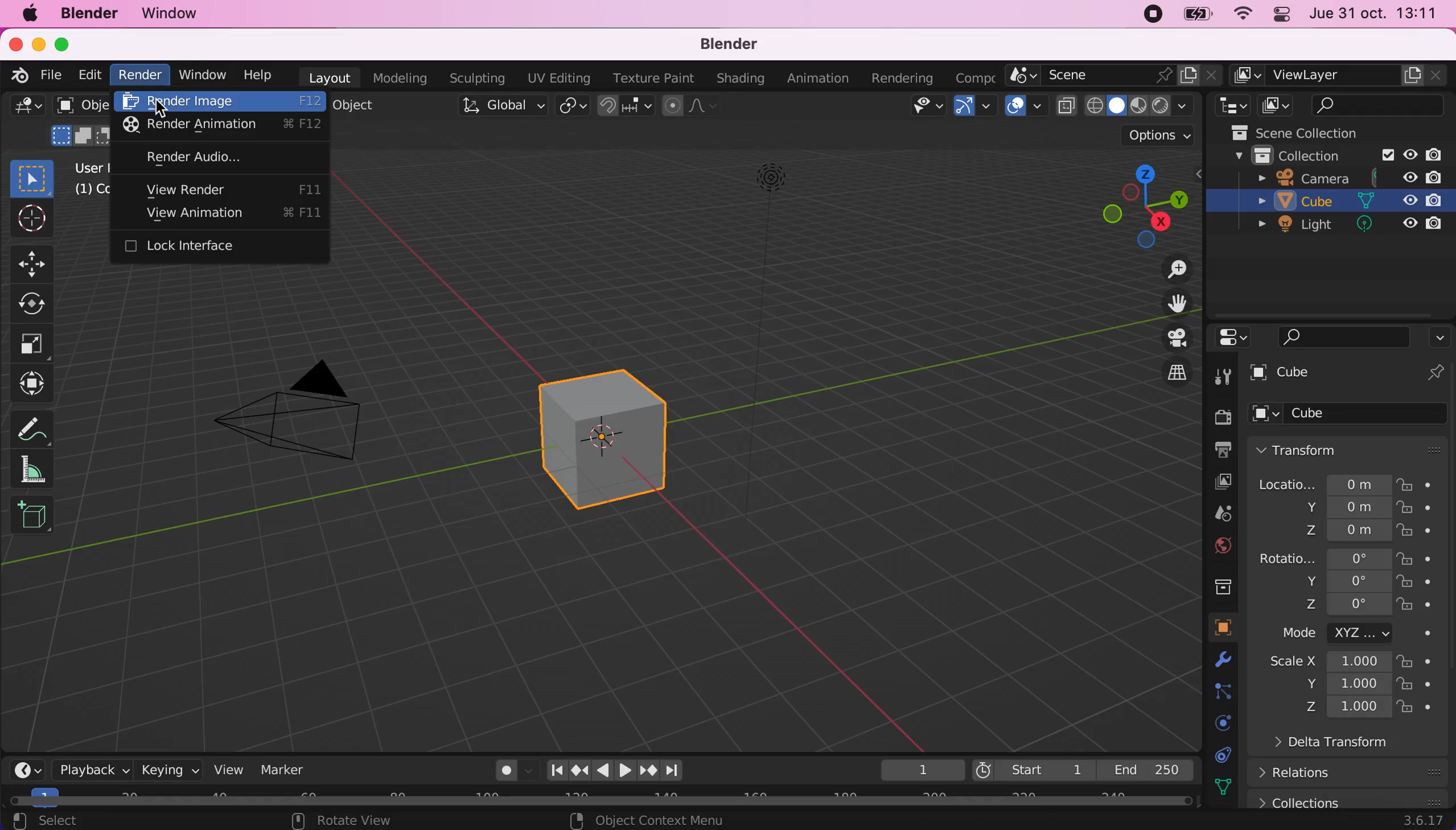 Image resolution: width=1456 pixels, height=830 pixels. What do you see at coordinates (346, 821) in the screenshot?
I see `rotate view` at bounding box center [346, 821].